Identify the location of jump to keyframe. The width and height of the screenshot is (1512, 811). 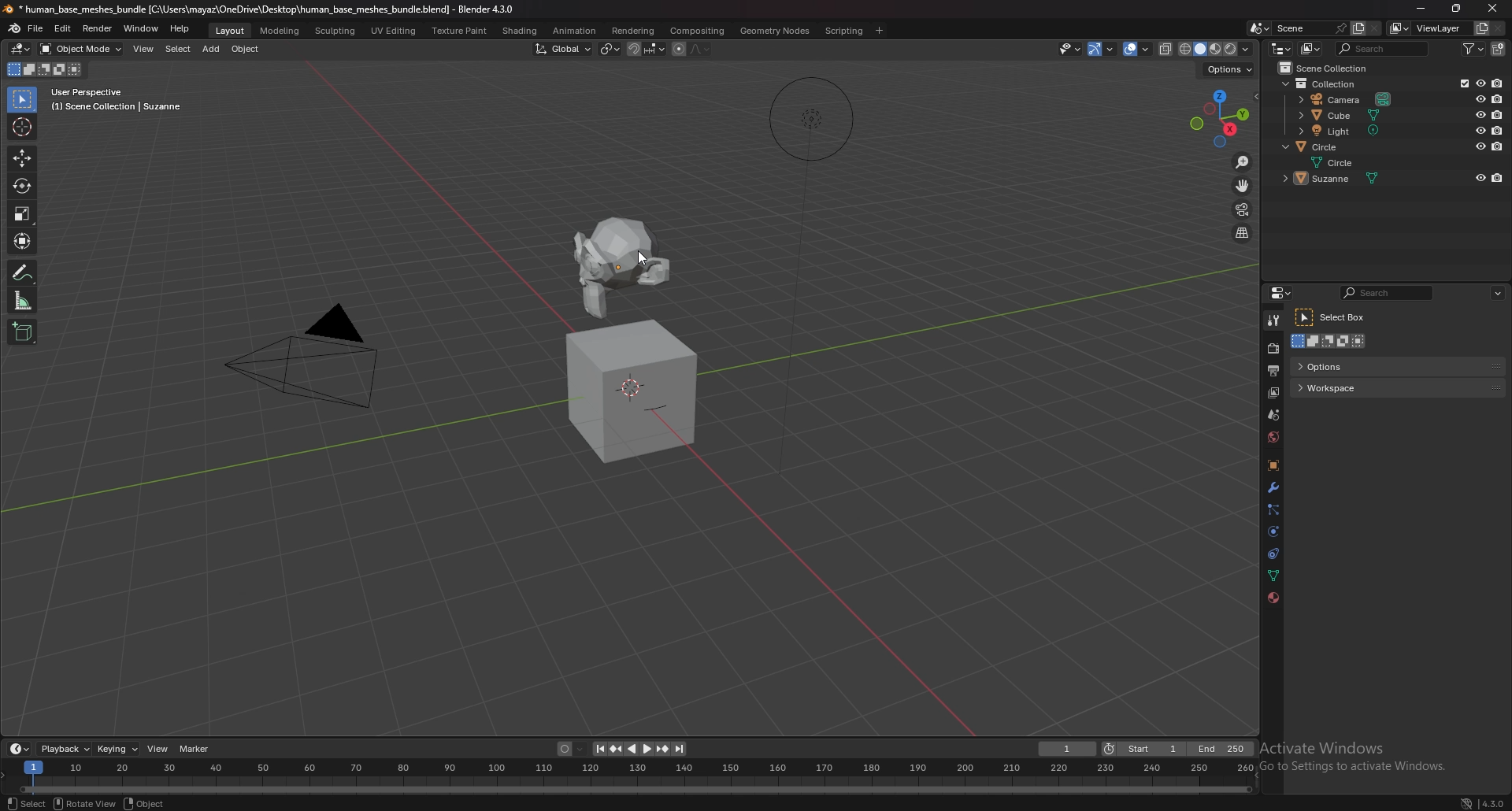
(617, 749).